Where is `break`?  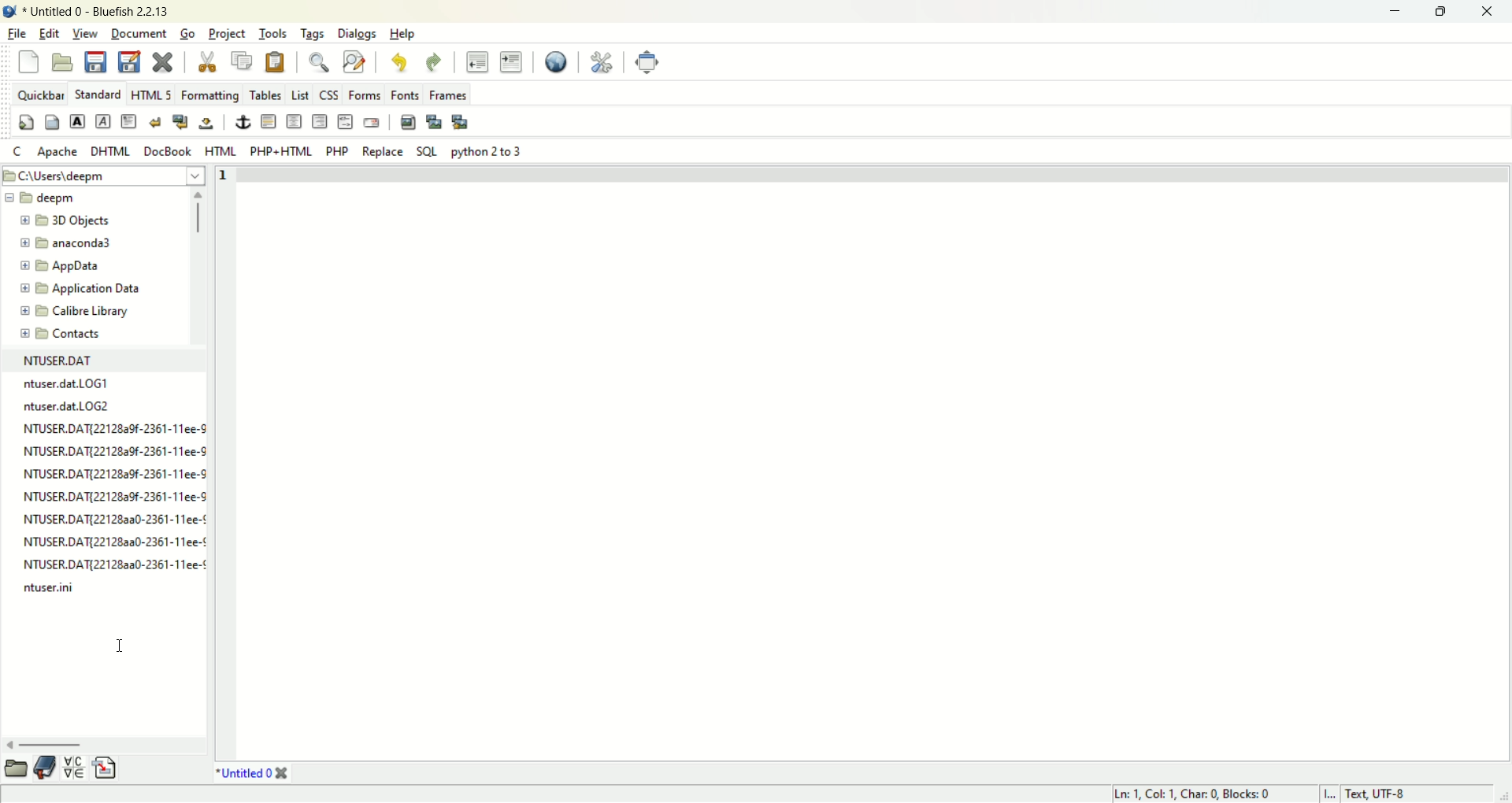
break is located at coordinates (157, 121).